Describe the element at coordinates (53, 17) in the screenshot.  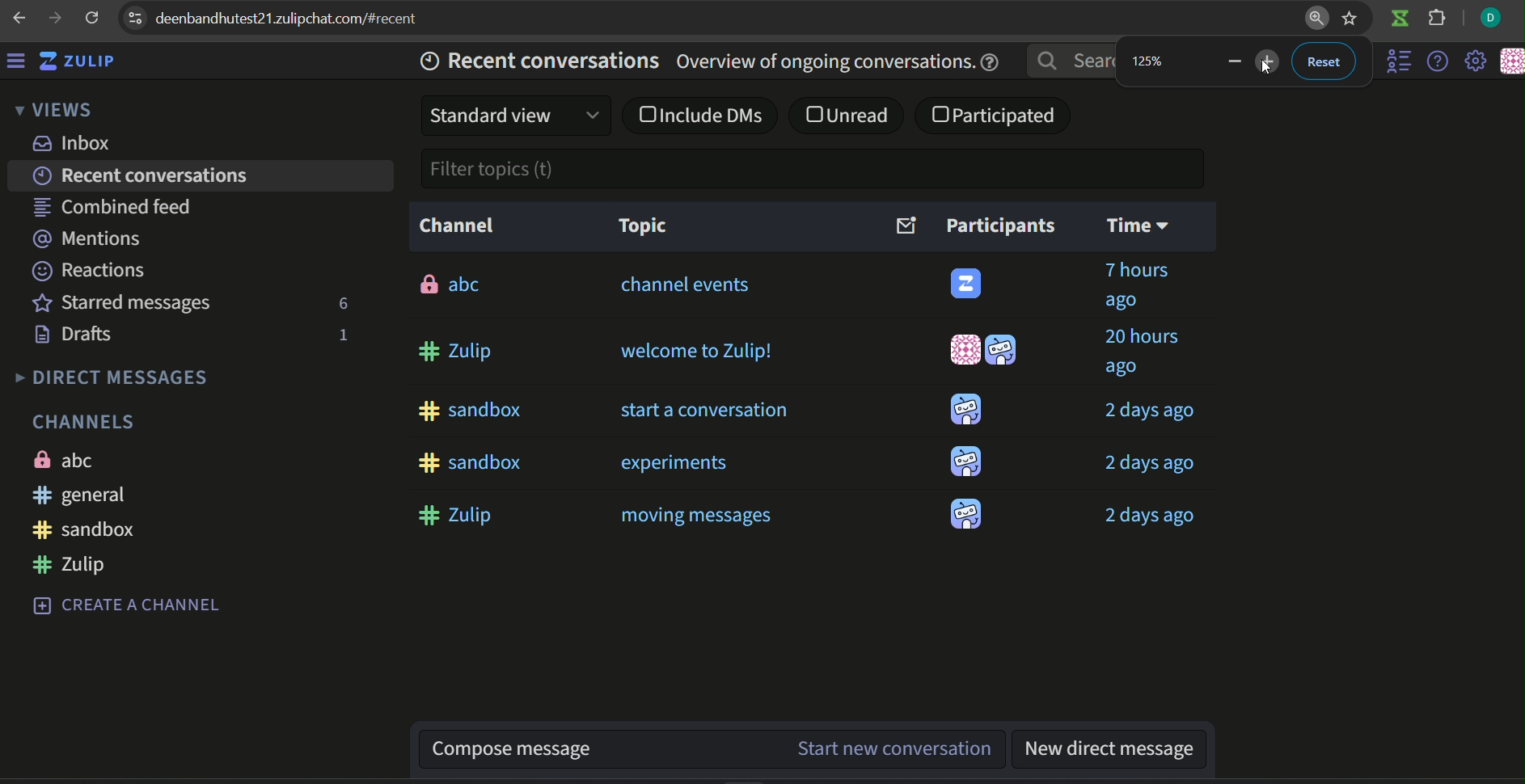
I see `next page` at that location.